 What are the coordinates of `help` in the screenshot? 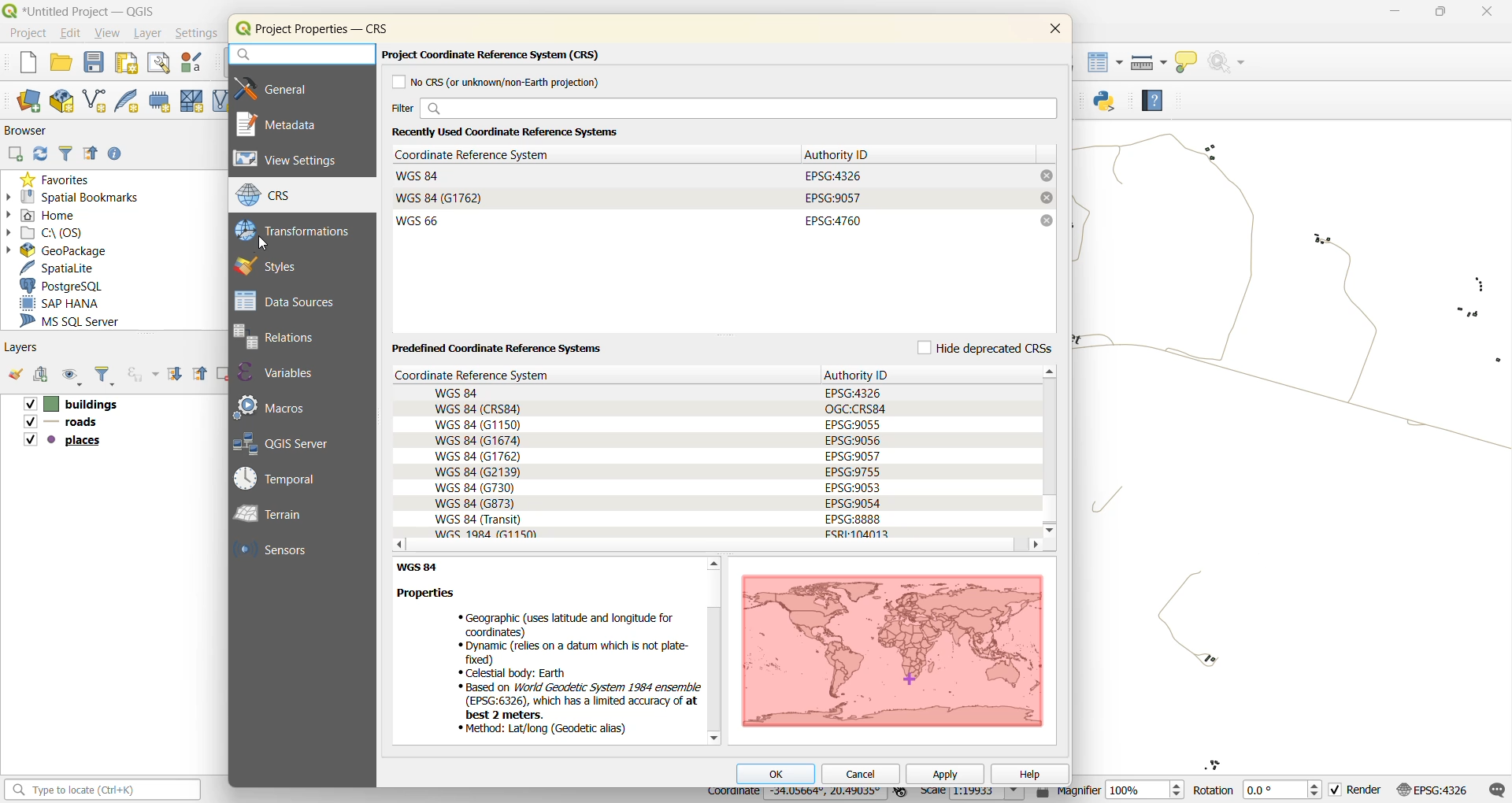 It's located at (1152, 98).